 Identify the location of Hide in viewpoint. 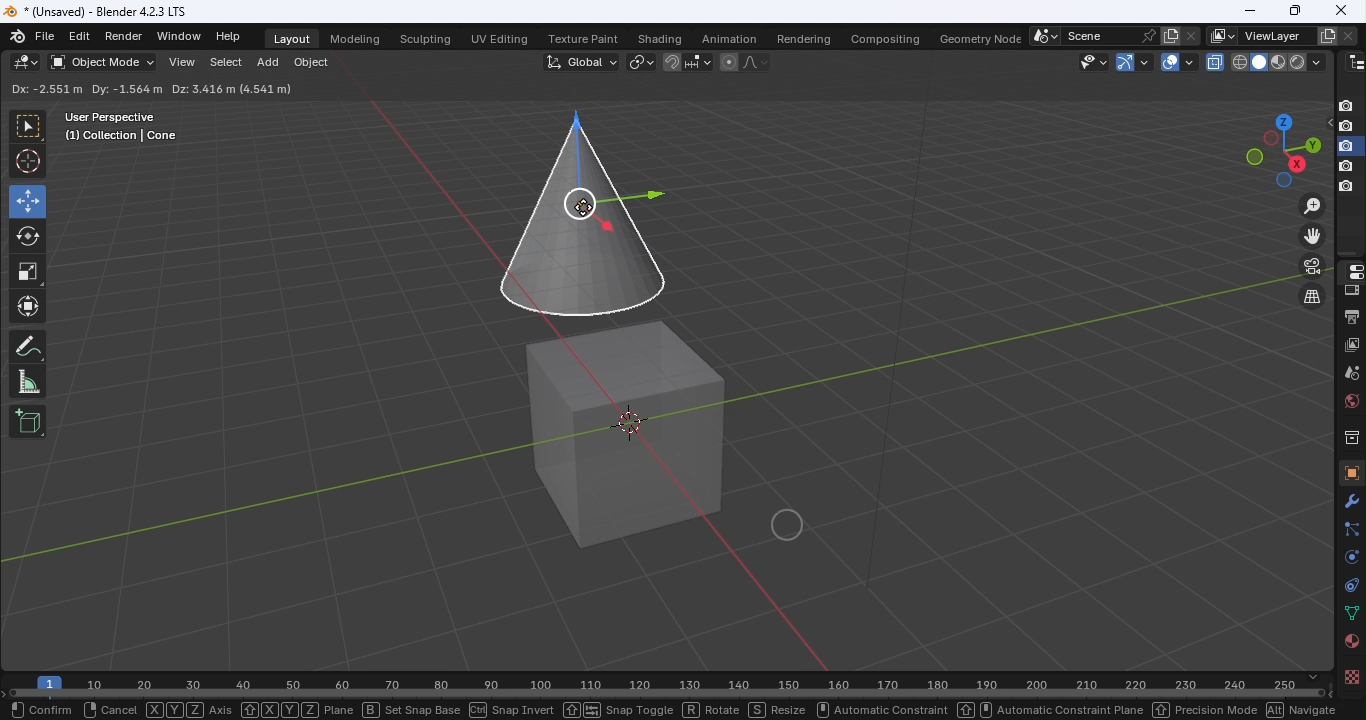
(1325, 124).